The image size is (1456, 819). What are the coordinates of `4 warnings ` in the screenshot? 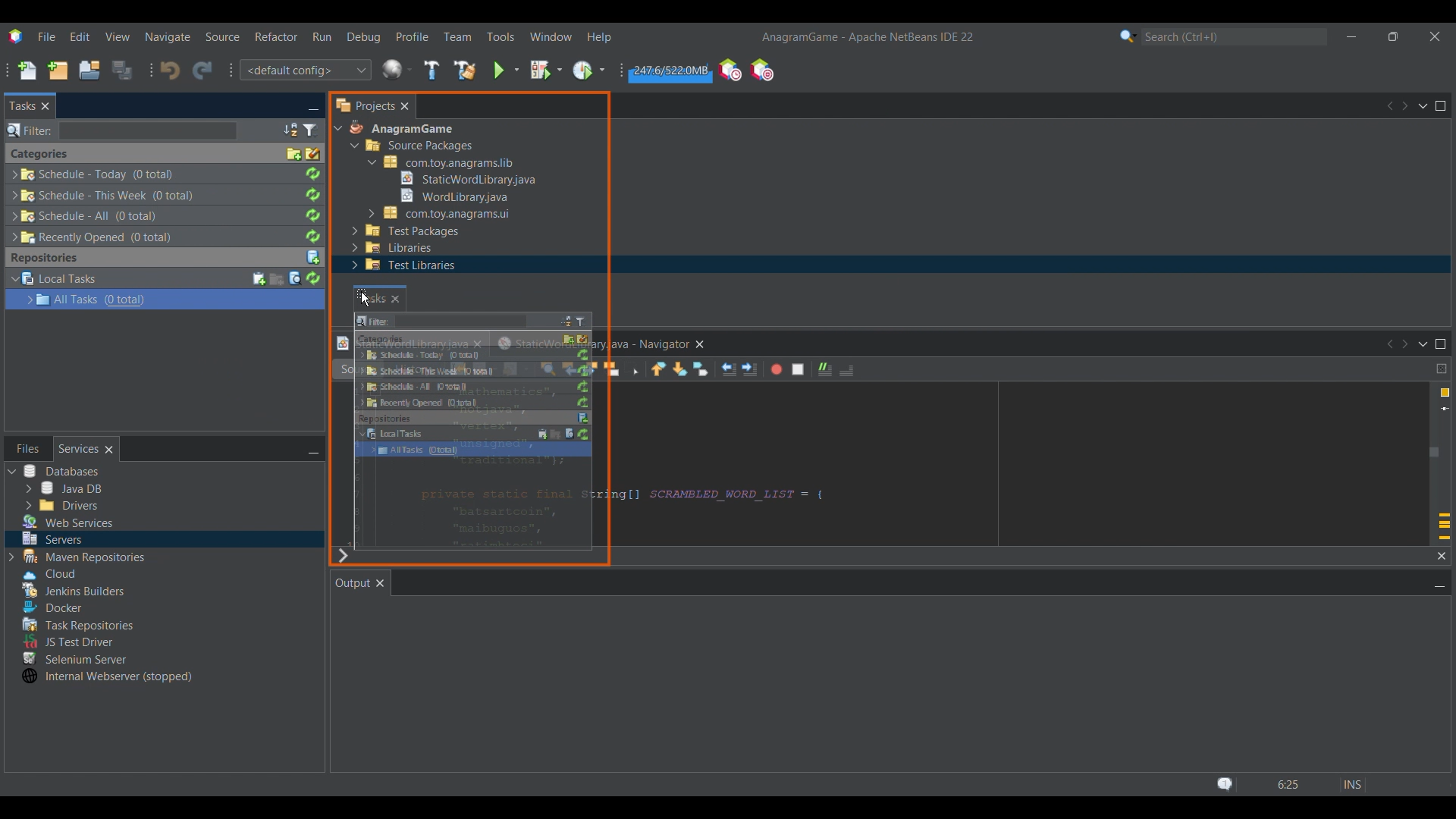 It's located at (1445, 393).